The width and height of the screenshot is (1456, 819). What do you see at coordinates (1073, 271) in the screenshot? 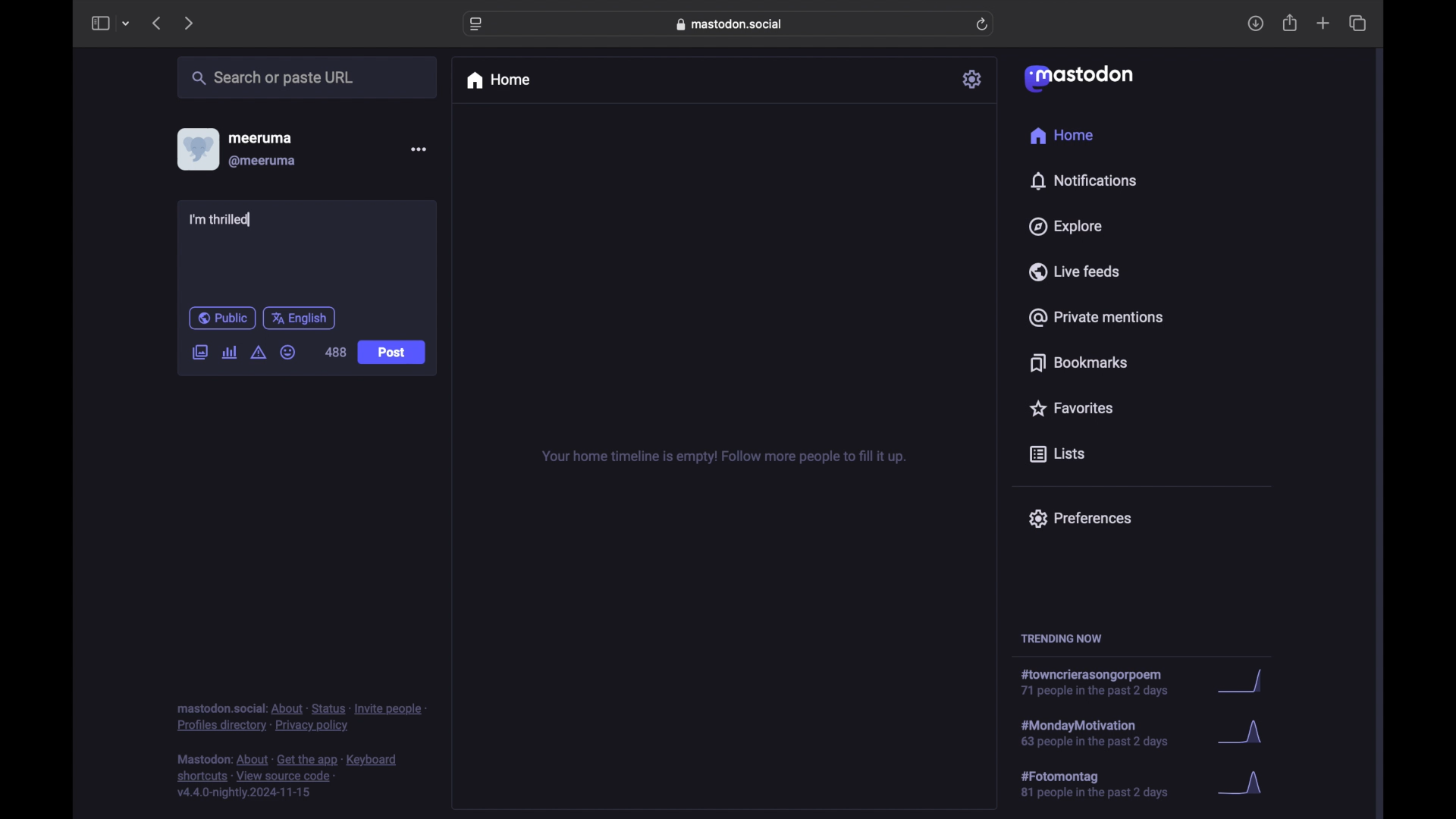
I see `live feeds` at bounding box center [1073, 271].